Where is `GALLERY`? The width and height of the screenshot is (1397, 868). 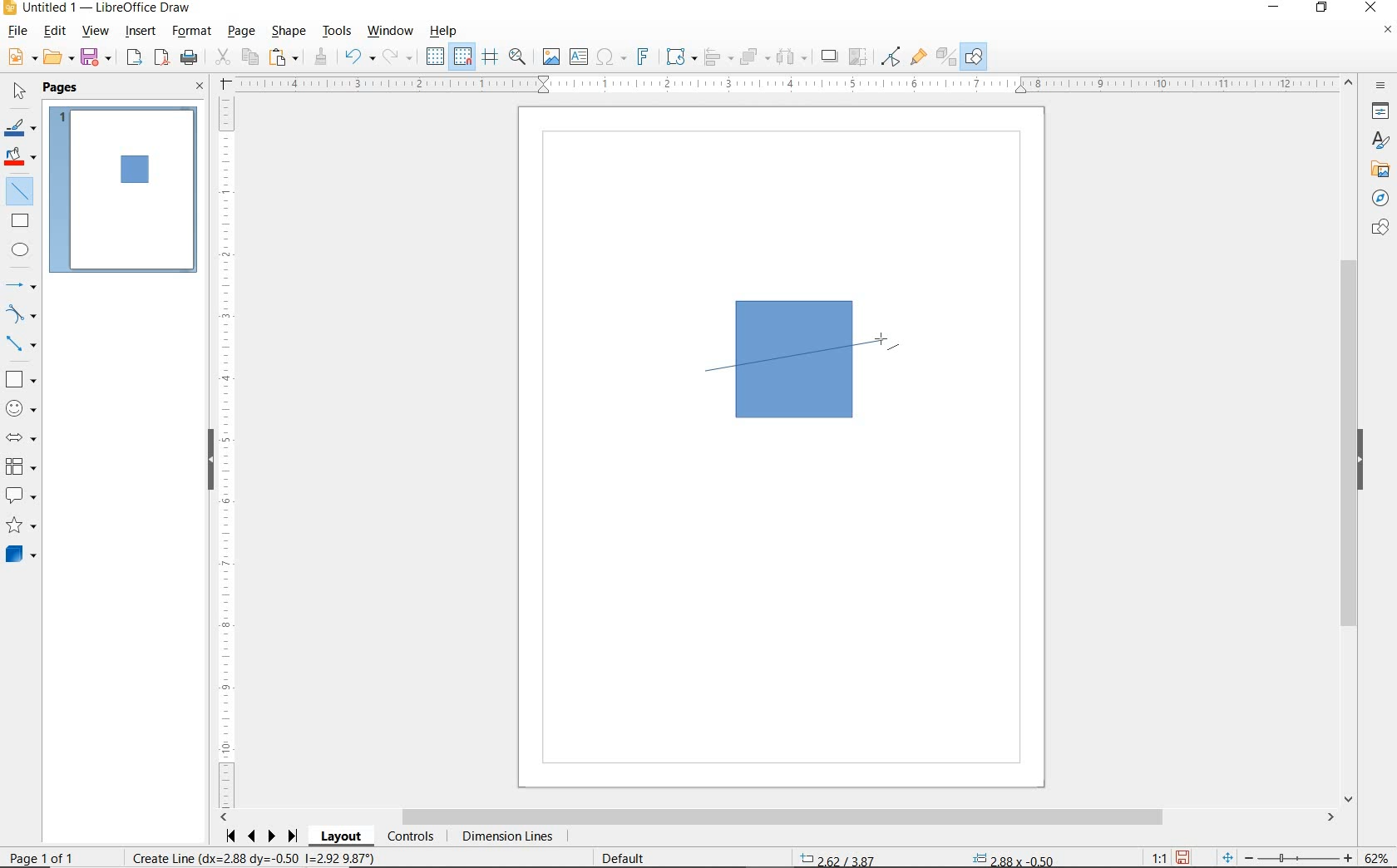
GALLERY is located at coordinates (1378, 168).